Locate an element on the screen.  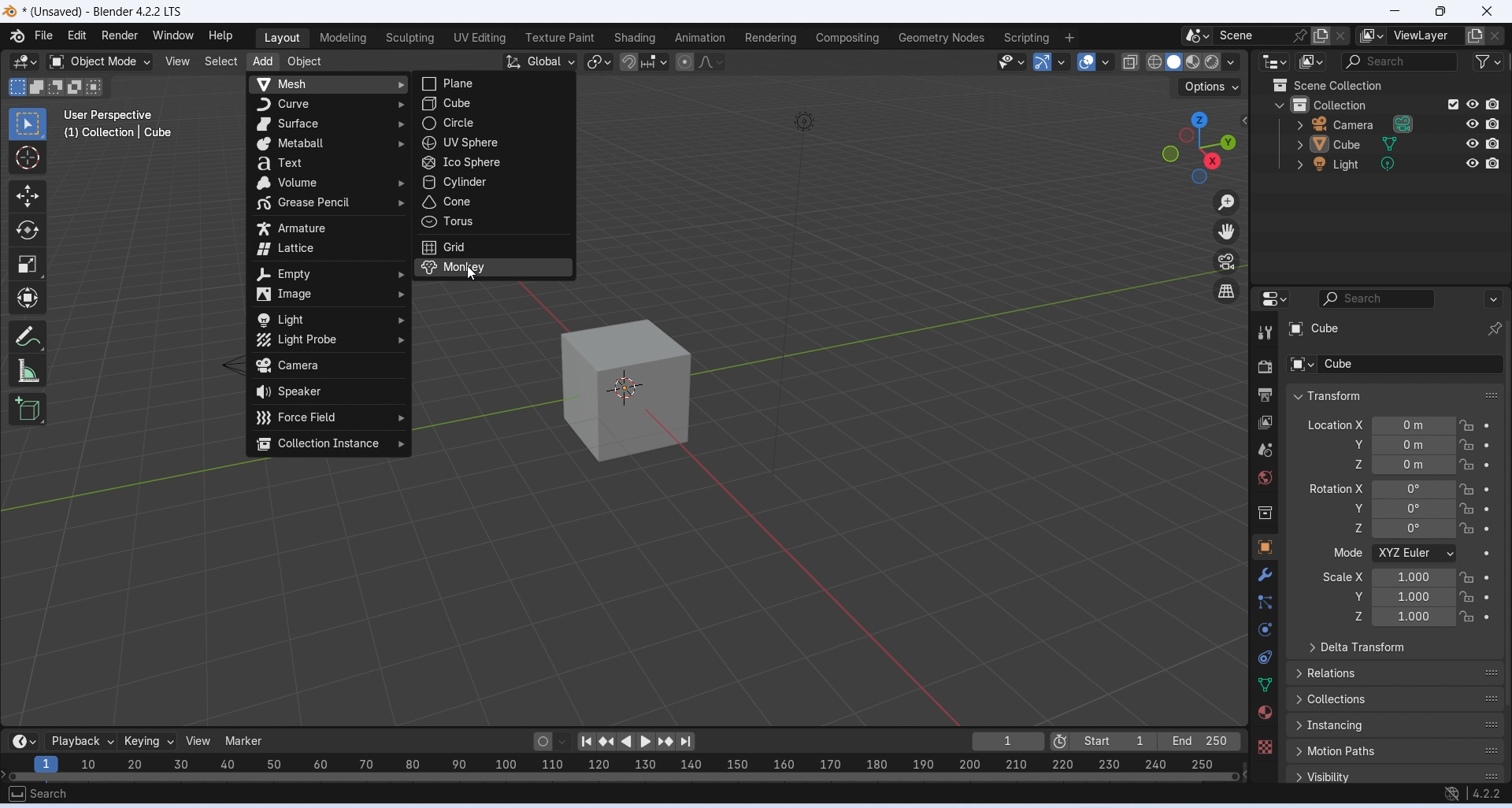
Compositing is located at coordinates (848, 37).